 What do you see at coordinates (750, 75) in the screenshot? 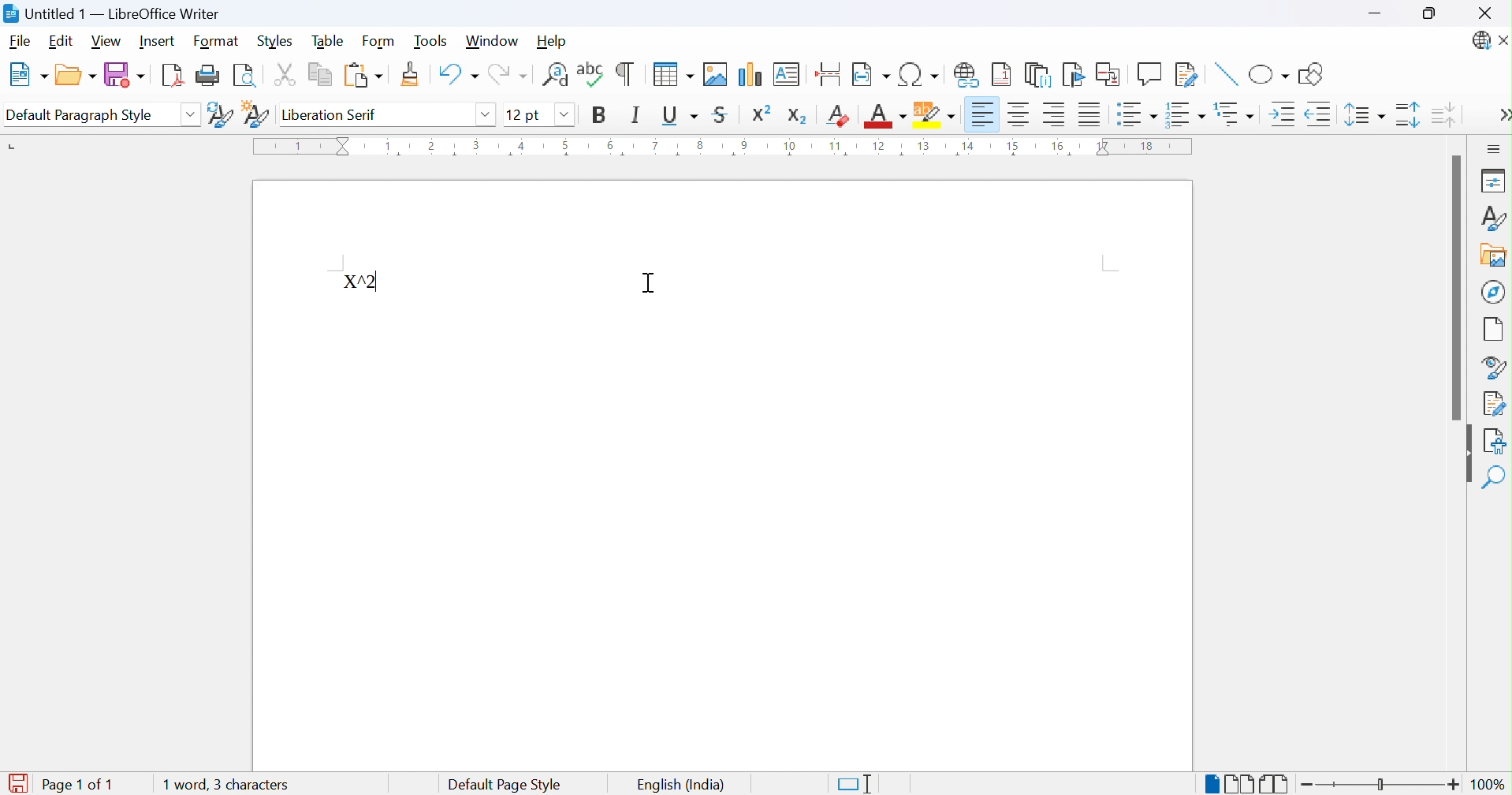
I see `Insert chart` at bounding box center [750, 75].